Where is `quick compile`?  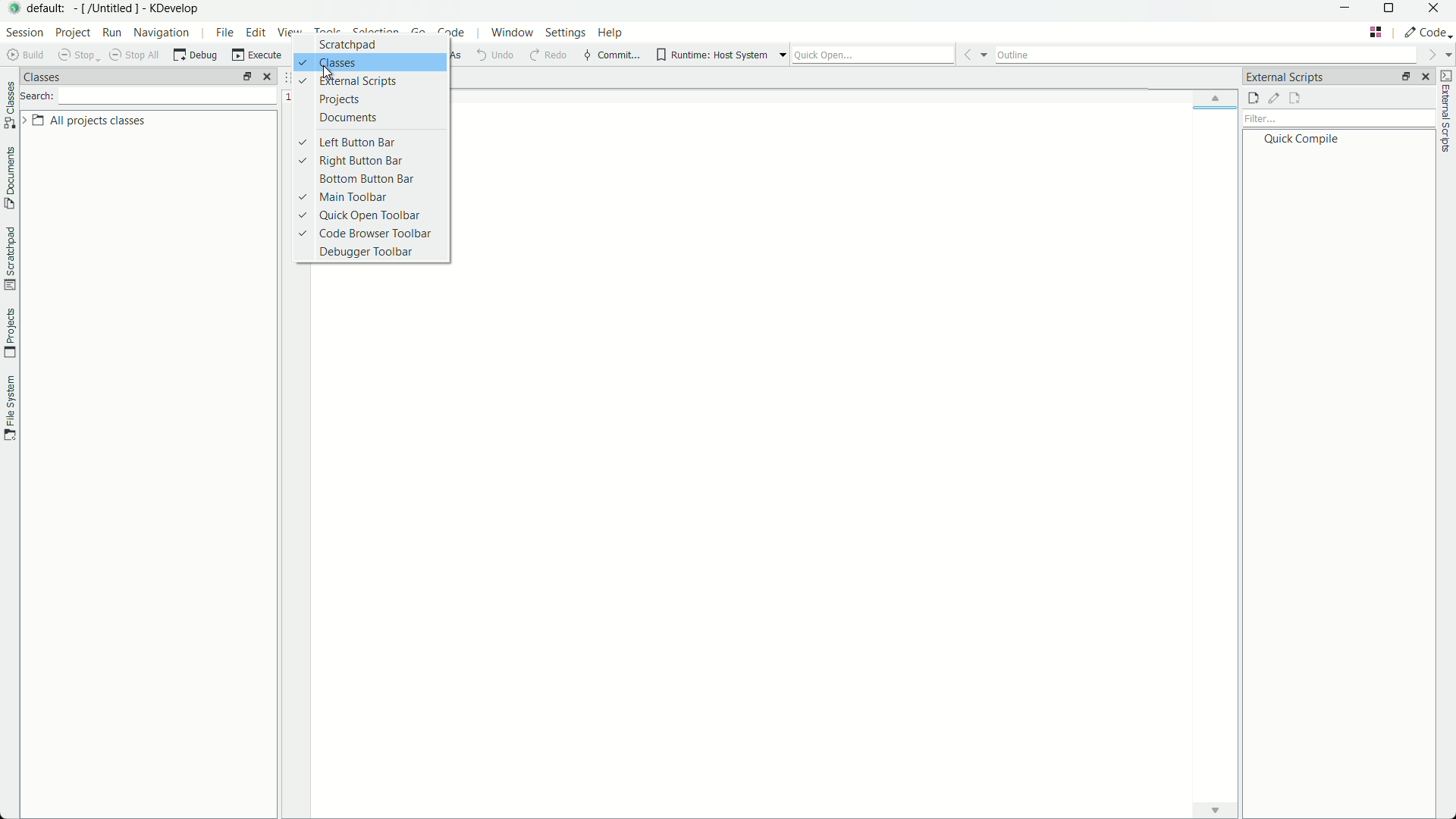 quick compile is located at coordinates (1307, 140).